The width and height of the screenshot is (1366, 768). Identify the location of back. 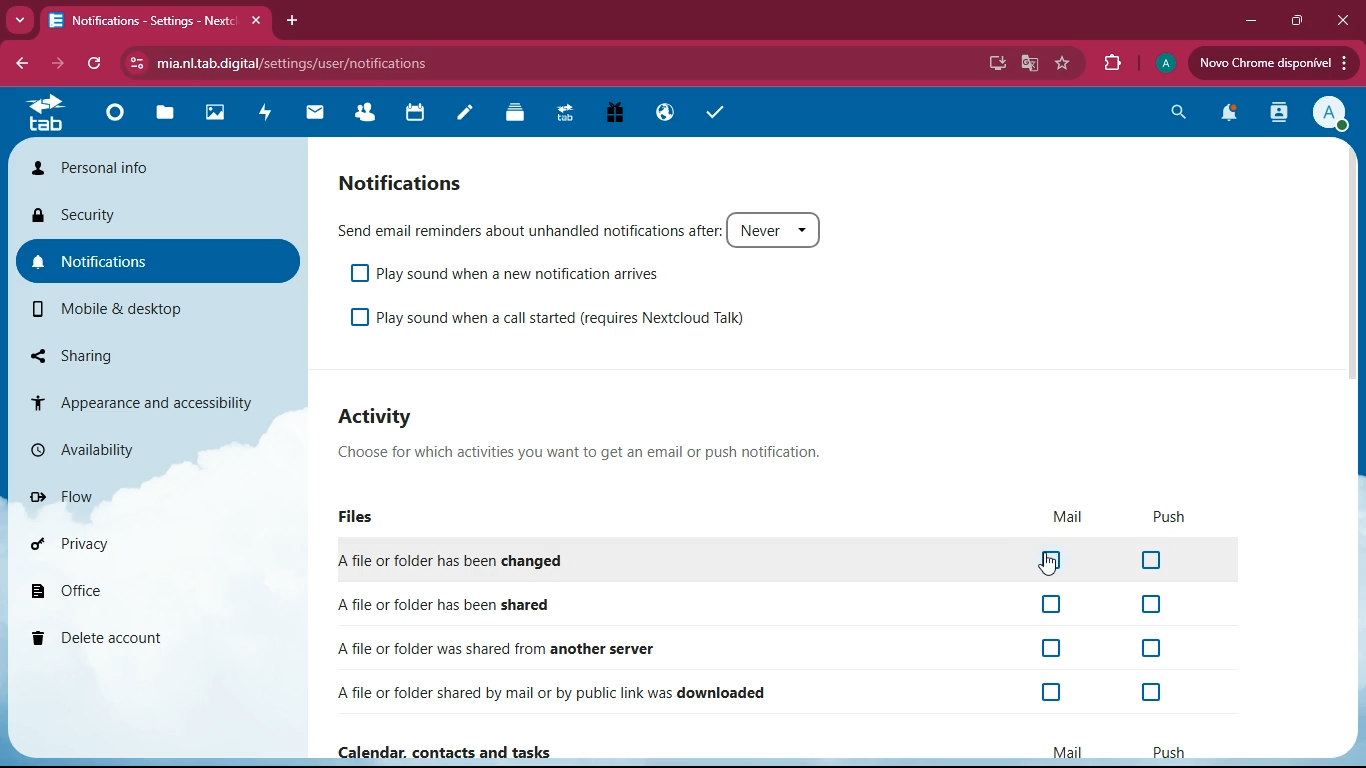
(20, 61).